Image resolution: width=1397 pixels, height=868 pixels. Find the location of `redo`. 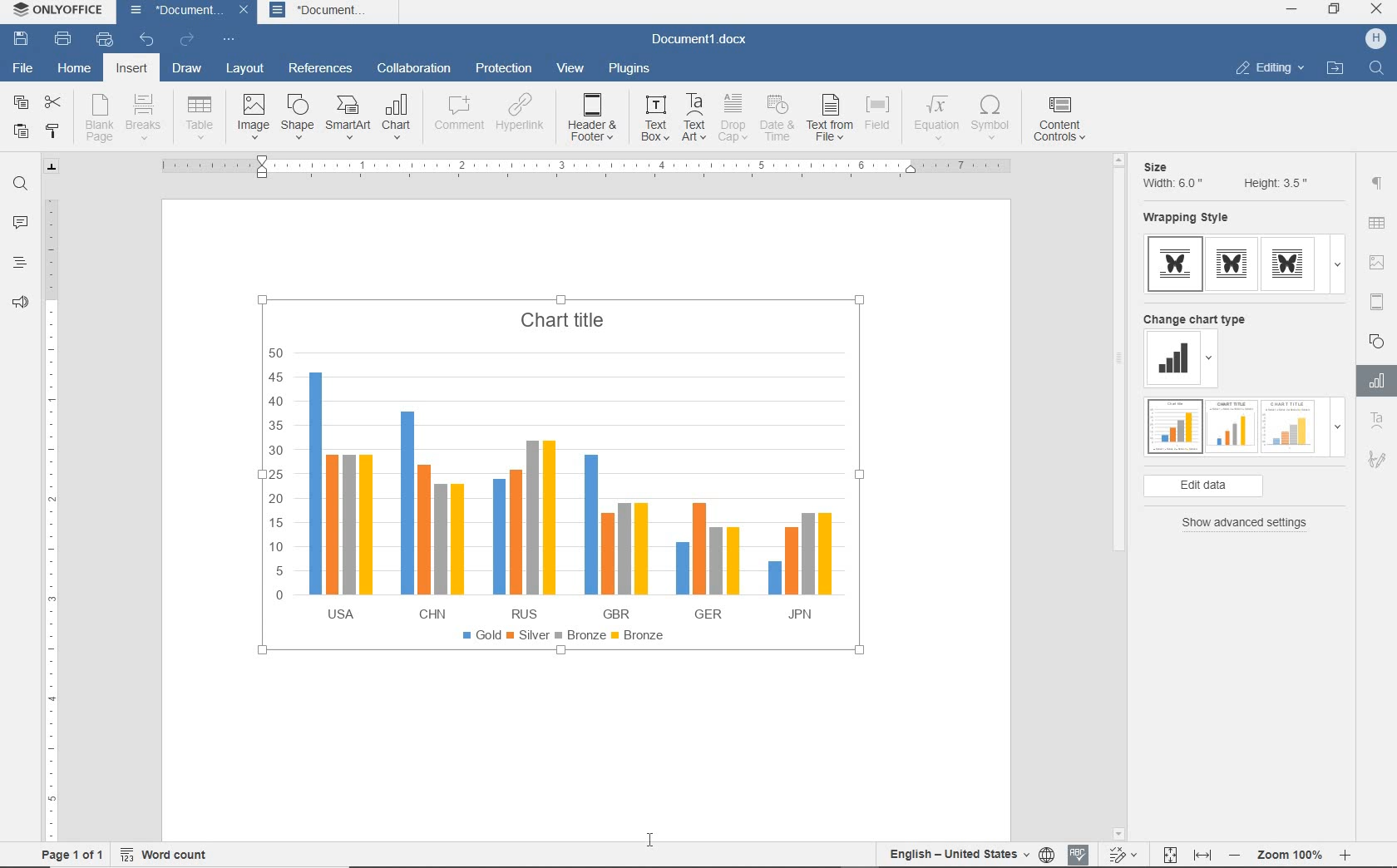

redo is located at coordinates (186, 41).